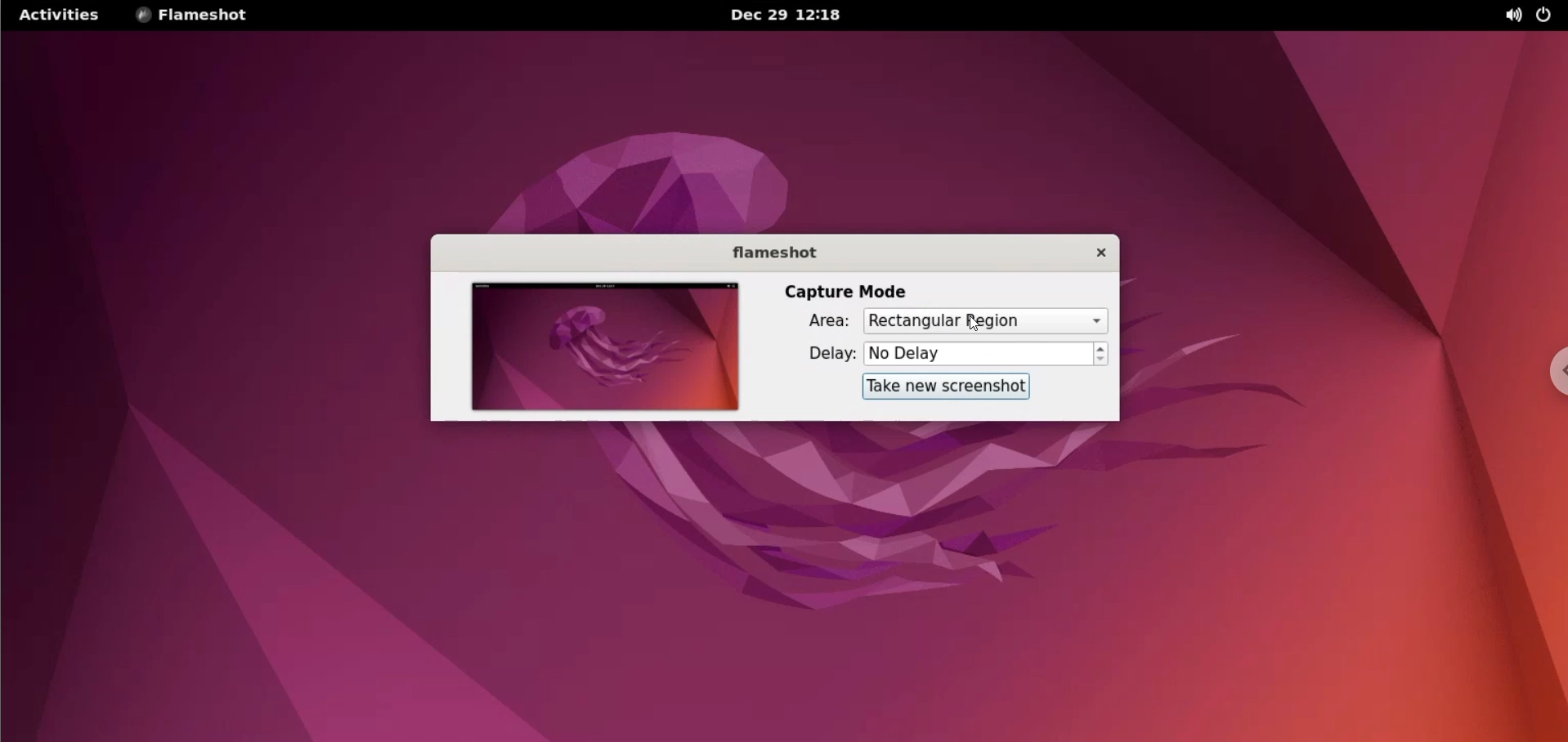 This screenshot has height=742, width=1568. I want to click on delay label, so click(825, 355).